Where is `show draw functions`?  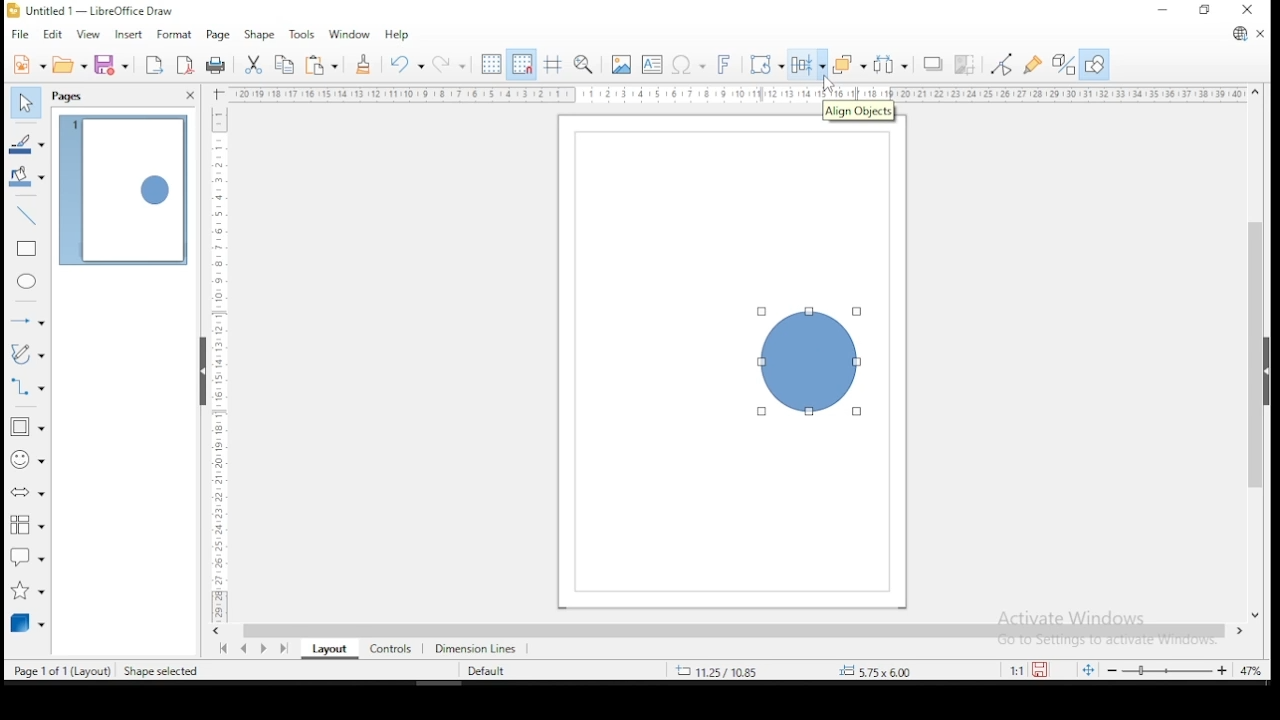
show draw functions is located at coordinates (1095, 65).